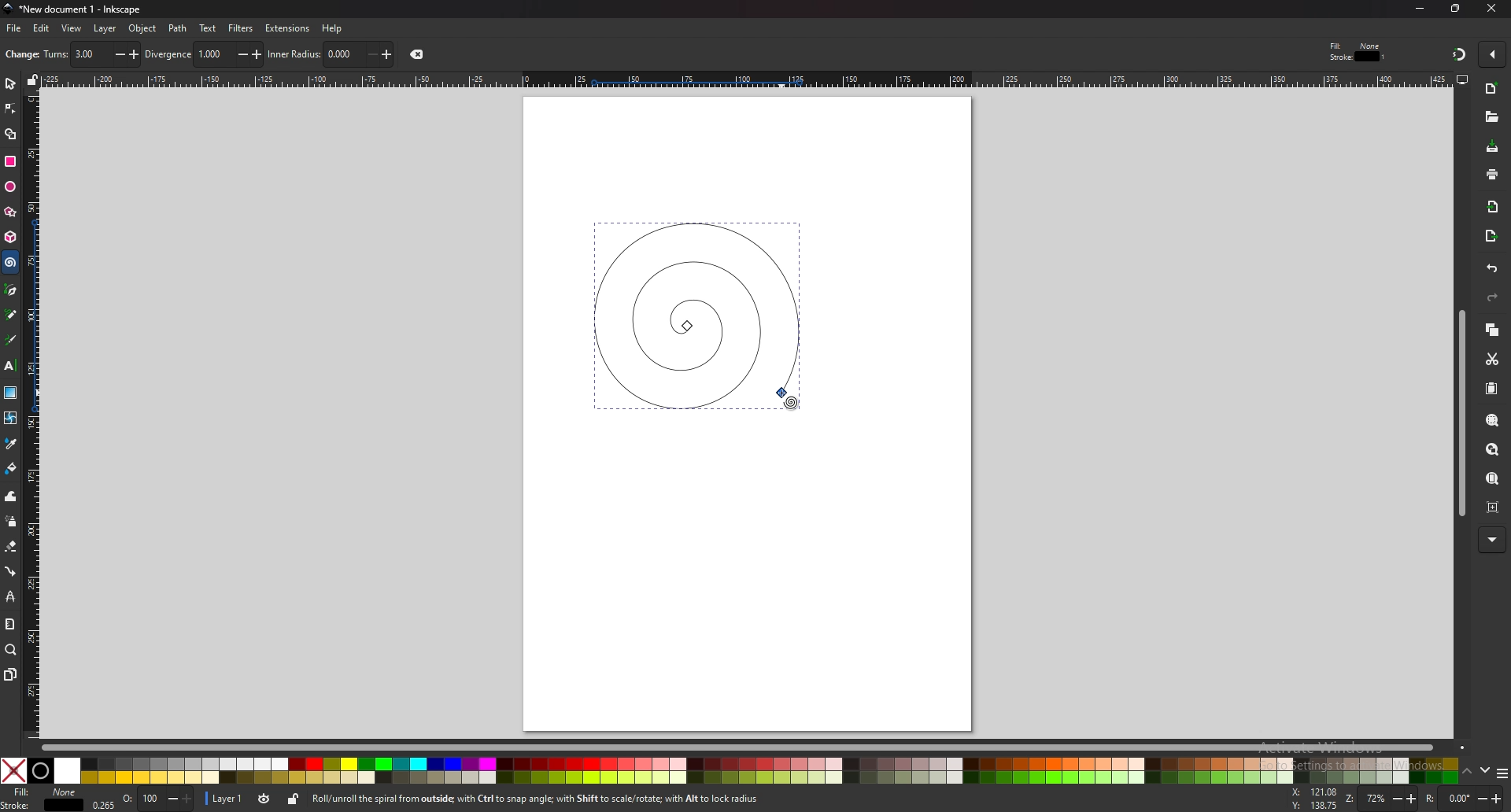 This screenshot has width=1511, height=812. I want to click on minimize, so click(1419, 8).